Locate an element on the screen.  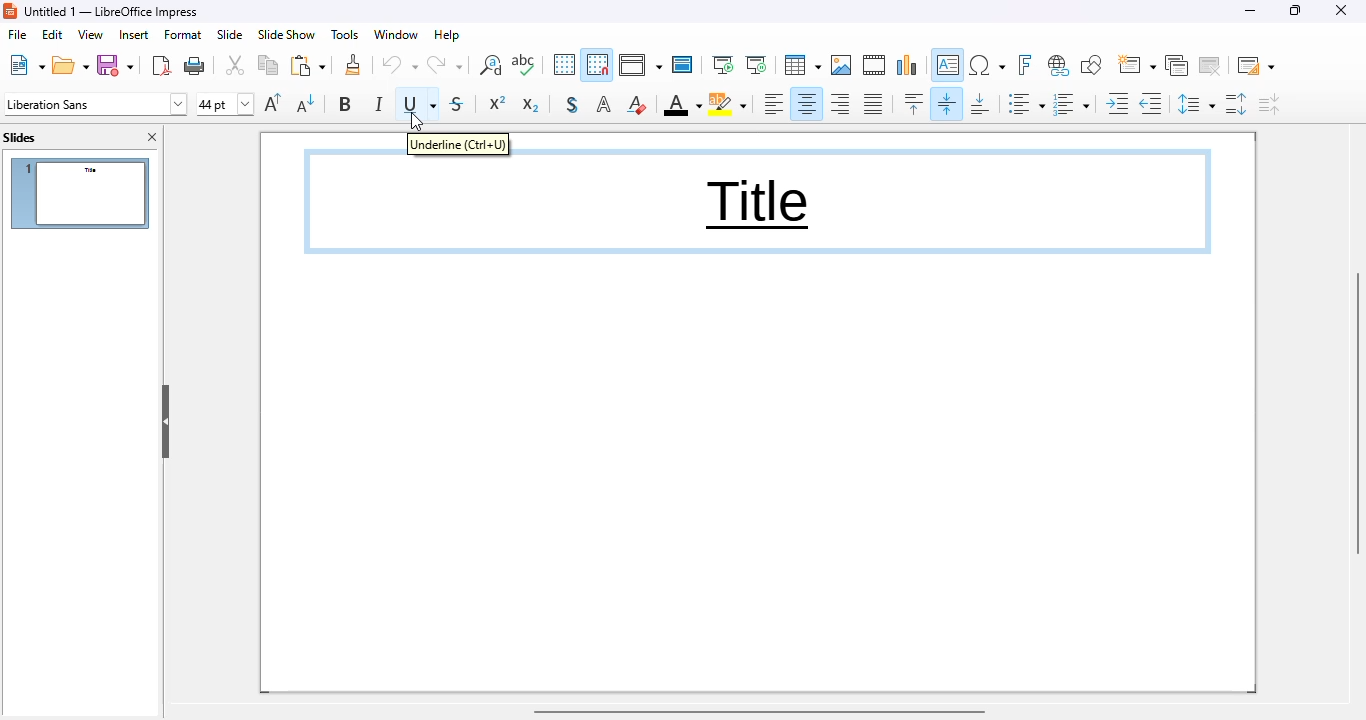
toggle ordered list is located at coordinates (1072, 103).